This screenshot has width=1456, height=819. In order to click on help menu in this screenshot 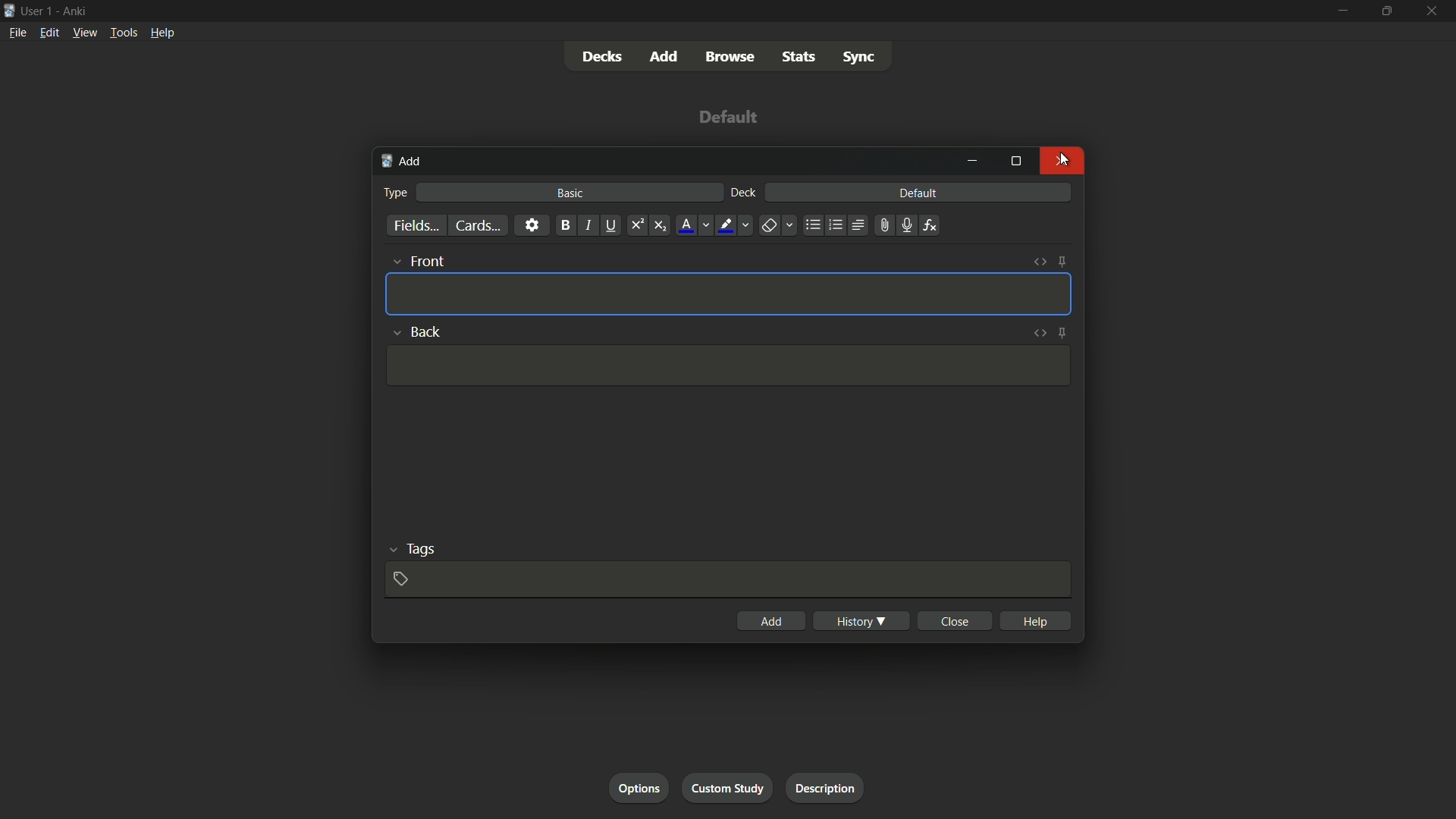, I will do `click(162, 34)`.